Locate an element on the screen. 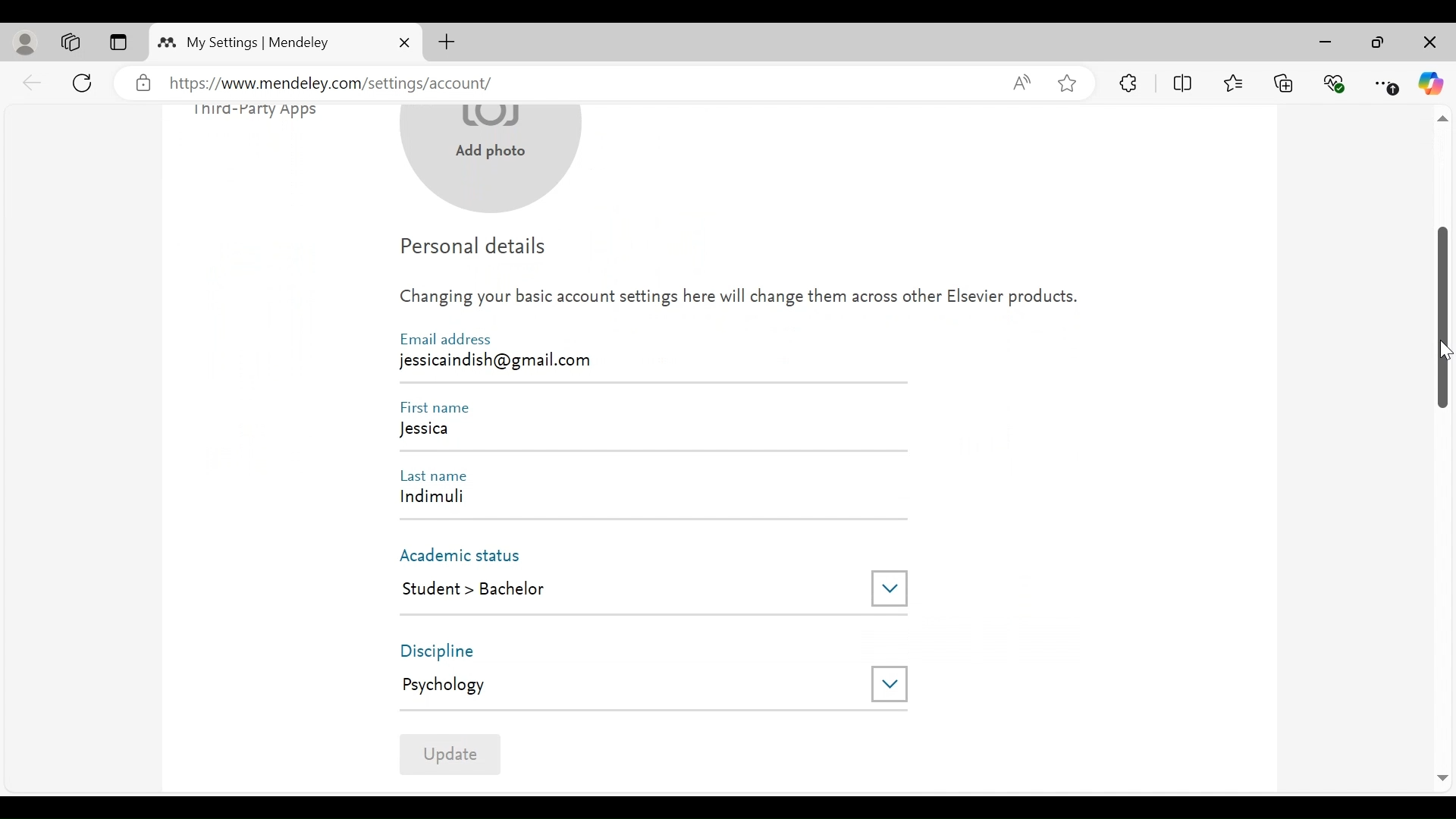  Workspaces is located at coordinates (71, 42).